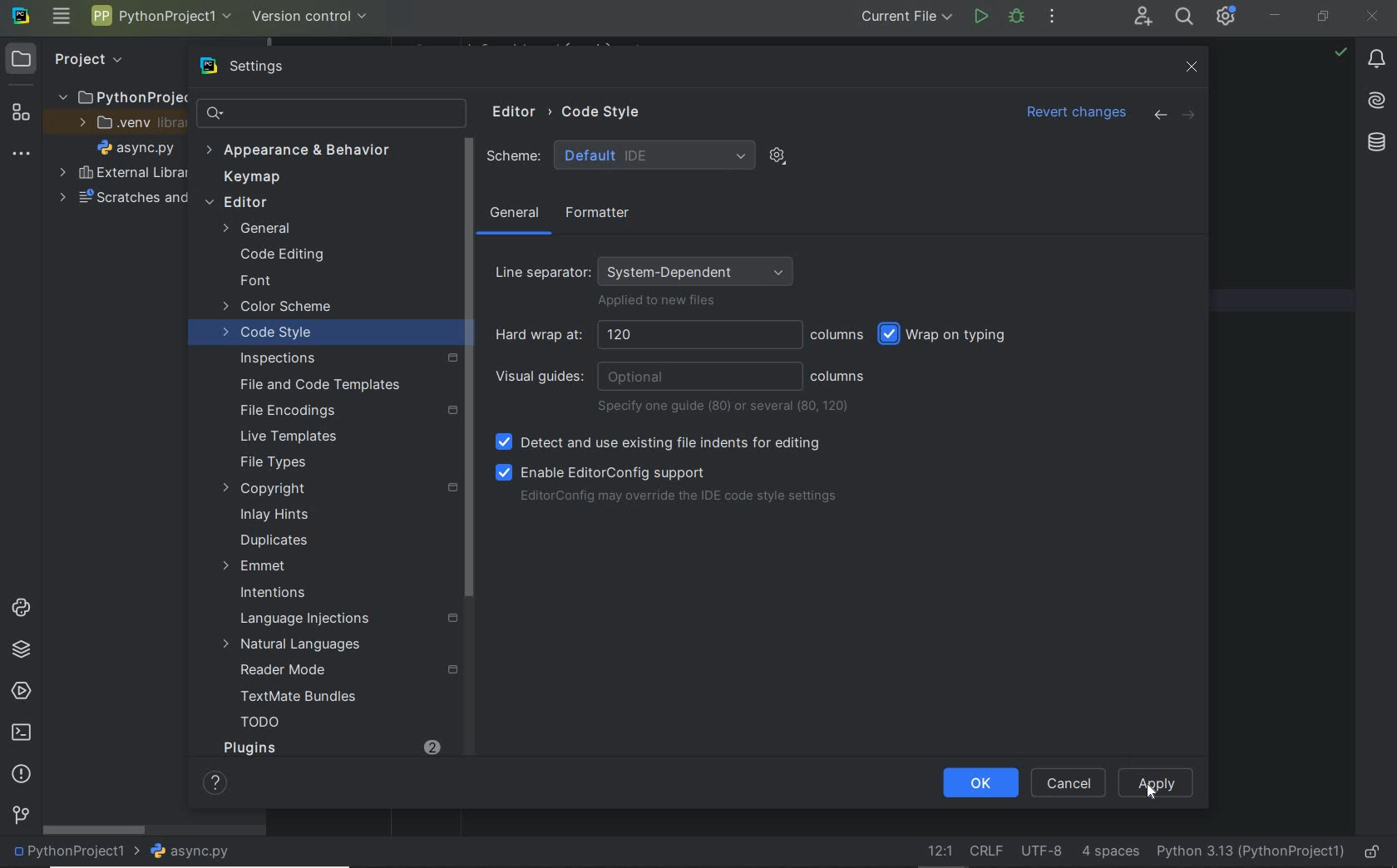  I want to click on python console, so click(21, 609).